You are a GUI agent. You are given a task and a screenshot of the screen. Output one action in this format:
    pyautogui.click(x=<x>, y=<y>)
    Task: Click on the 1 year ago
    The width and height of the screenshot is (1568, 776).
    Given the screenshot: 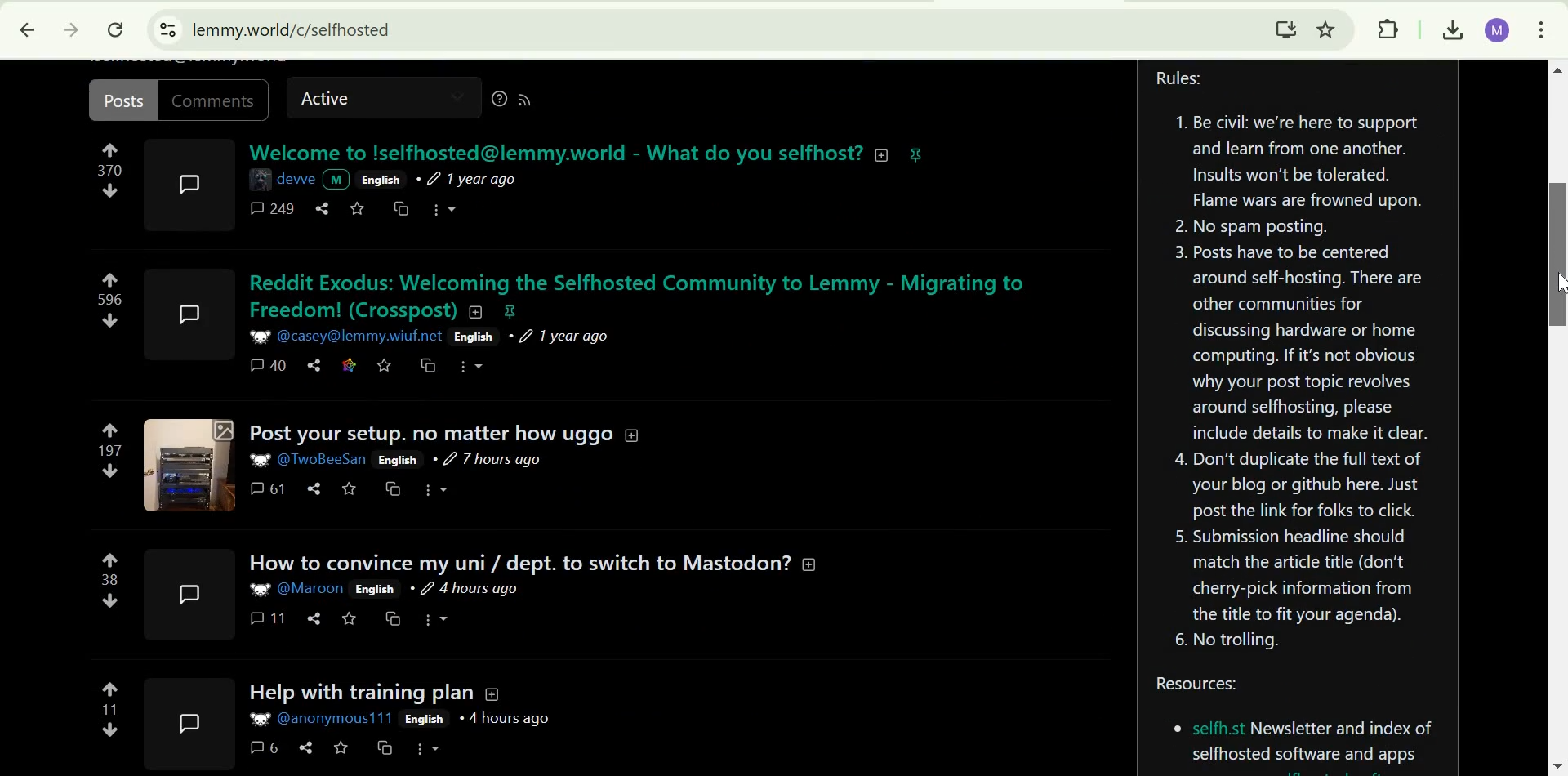 What is the action you would take?
    pyautogui.click(x=477, y=179)
    